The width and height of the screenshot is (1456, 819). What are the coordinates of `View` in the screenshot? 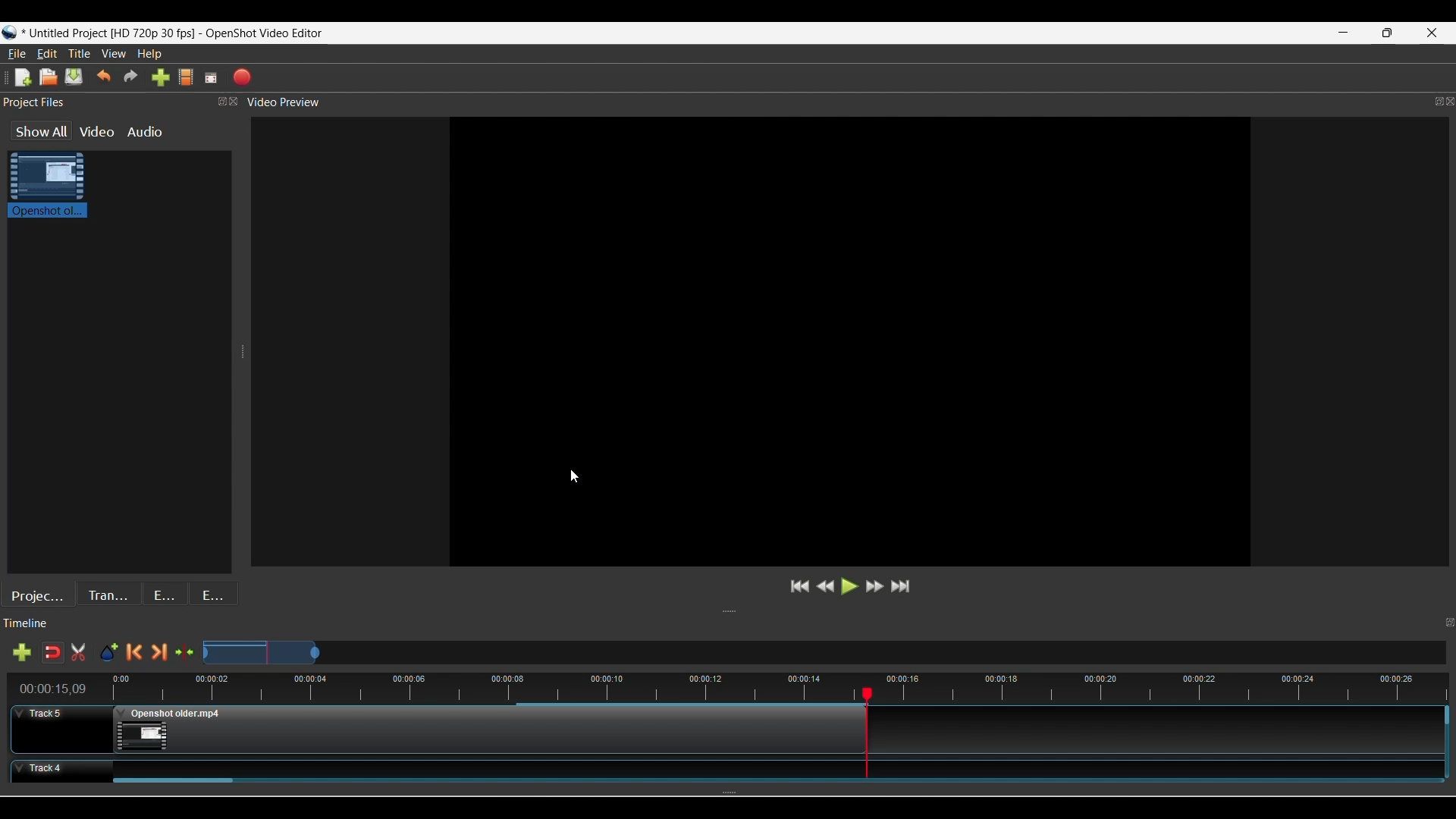 It's located at (115, 54).